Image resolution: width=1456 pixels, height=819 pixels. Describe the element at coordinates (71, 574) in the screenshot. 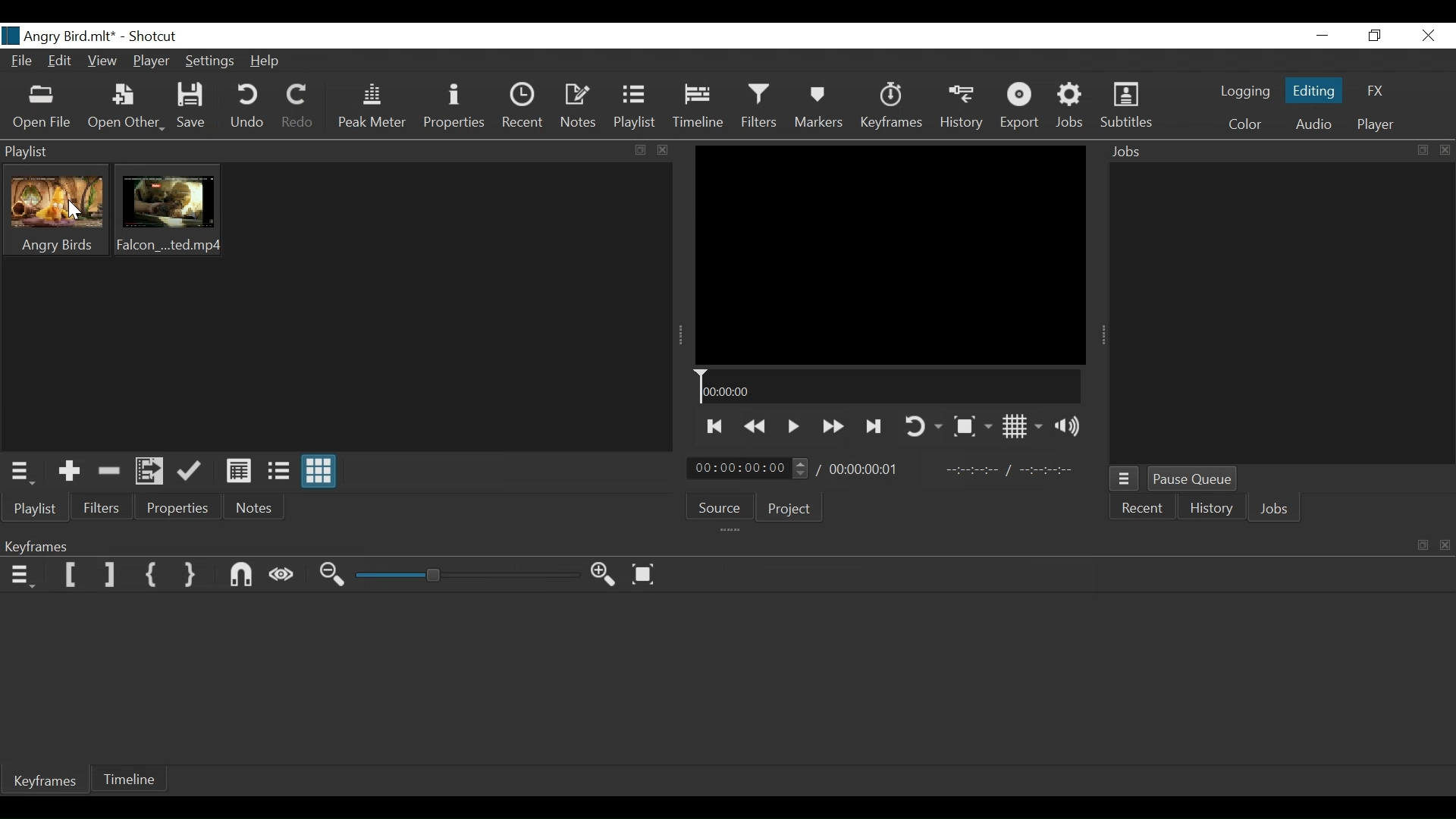

I see `Set Filter First` at that location.